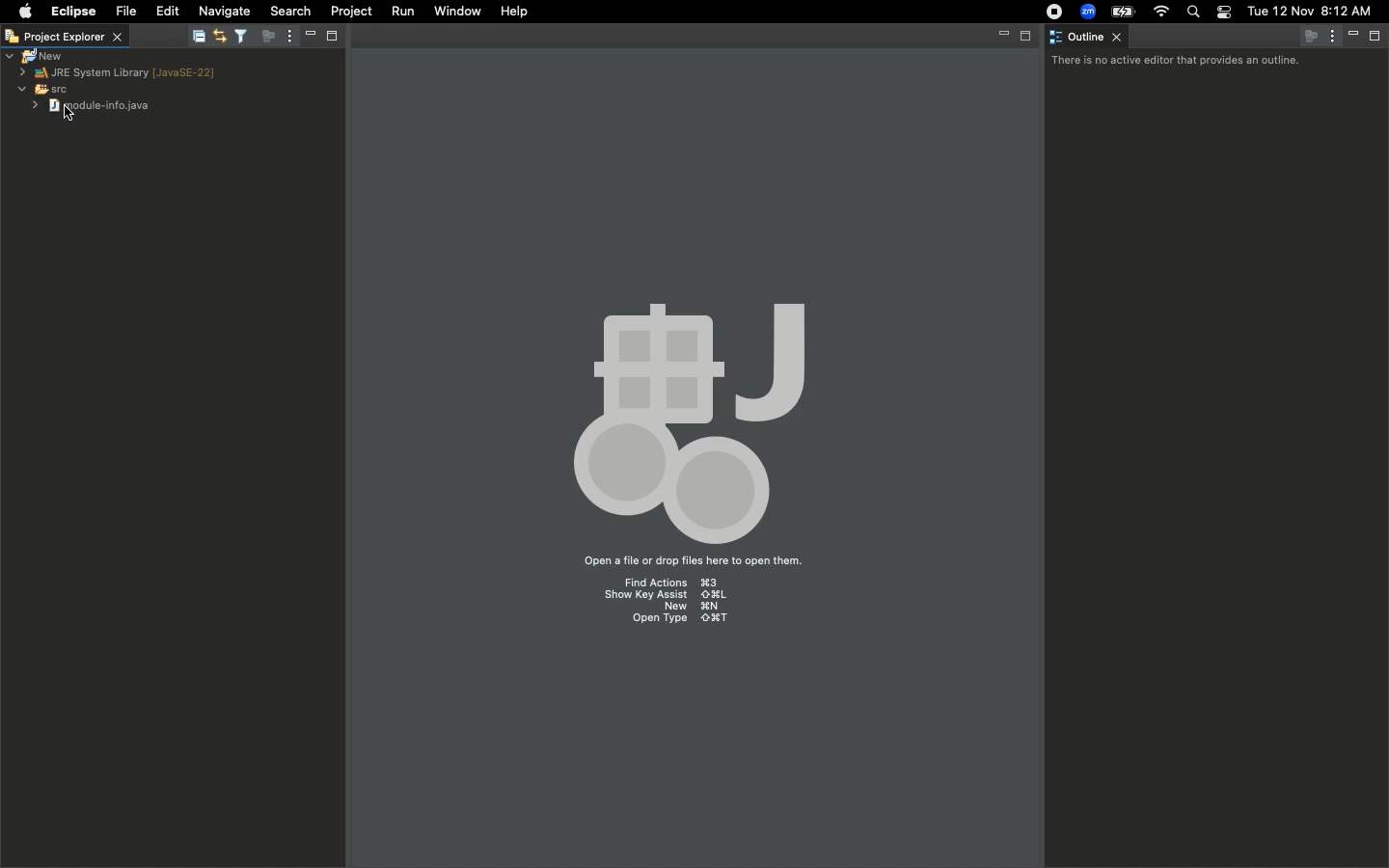  Describe the element at coordinates (692, 562) in the screenshot. I see `Open a file or drop files here to open them` at that location.